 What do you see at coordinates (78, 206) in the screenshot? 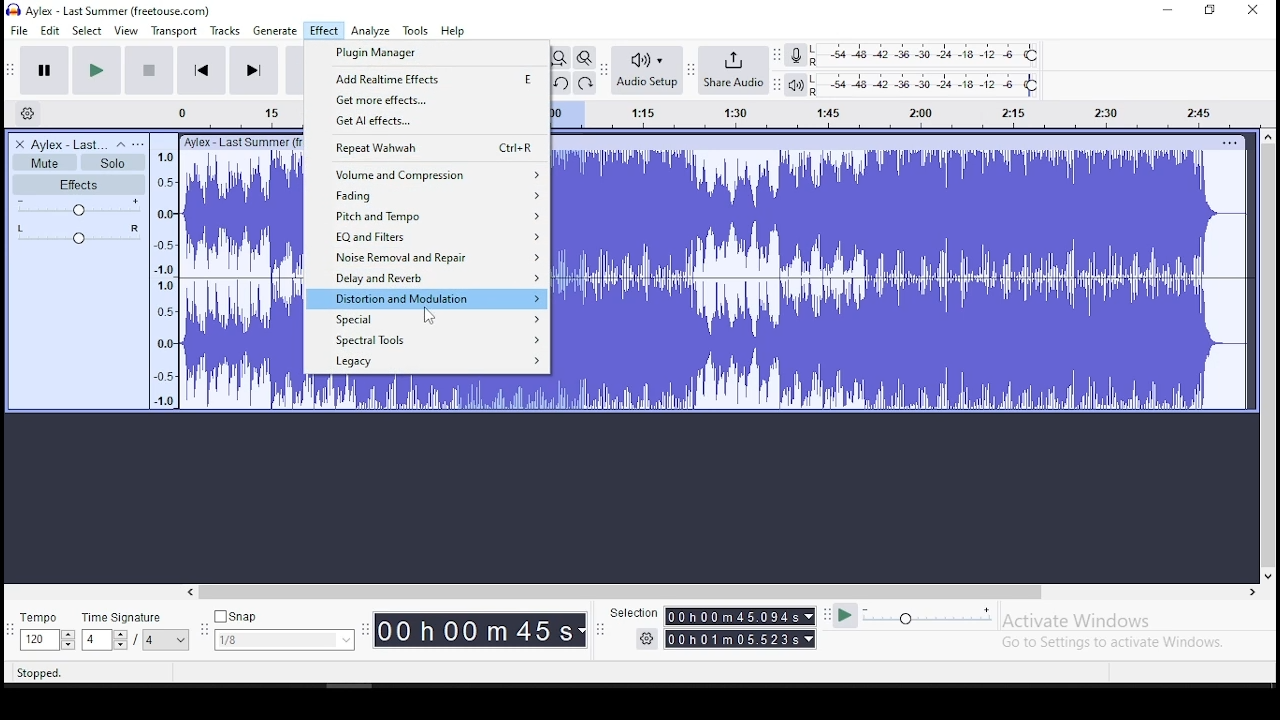
I see `volume` at bounding box center [78, 206].